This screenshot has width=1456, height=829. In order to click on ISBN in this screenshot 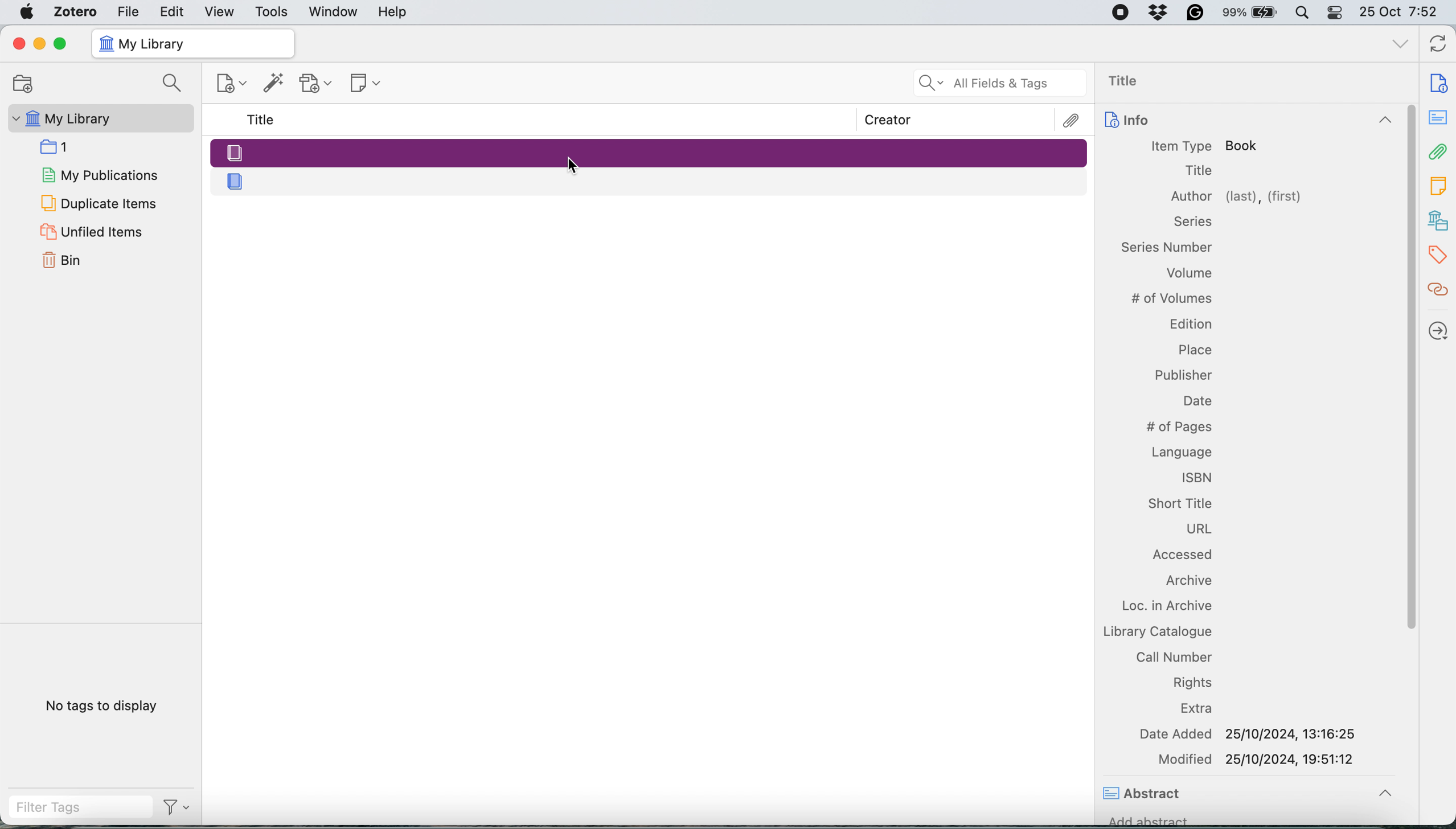, I will do `click(1197, 477)`.